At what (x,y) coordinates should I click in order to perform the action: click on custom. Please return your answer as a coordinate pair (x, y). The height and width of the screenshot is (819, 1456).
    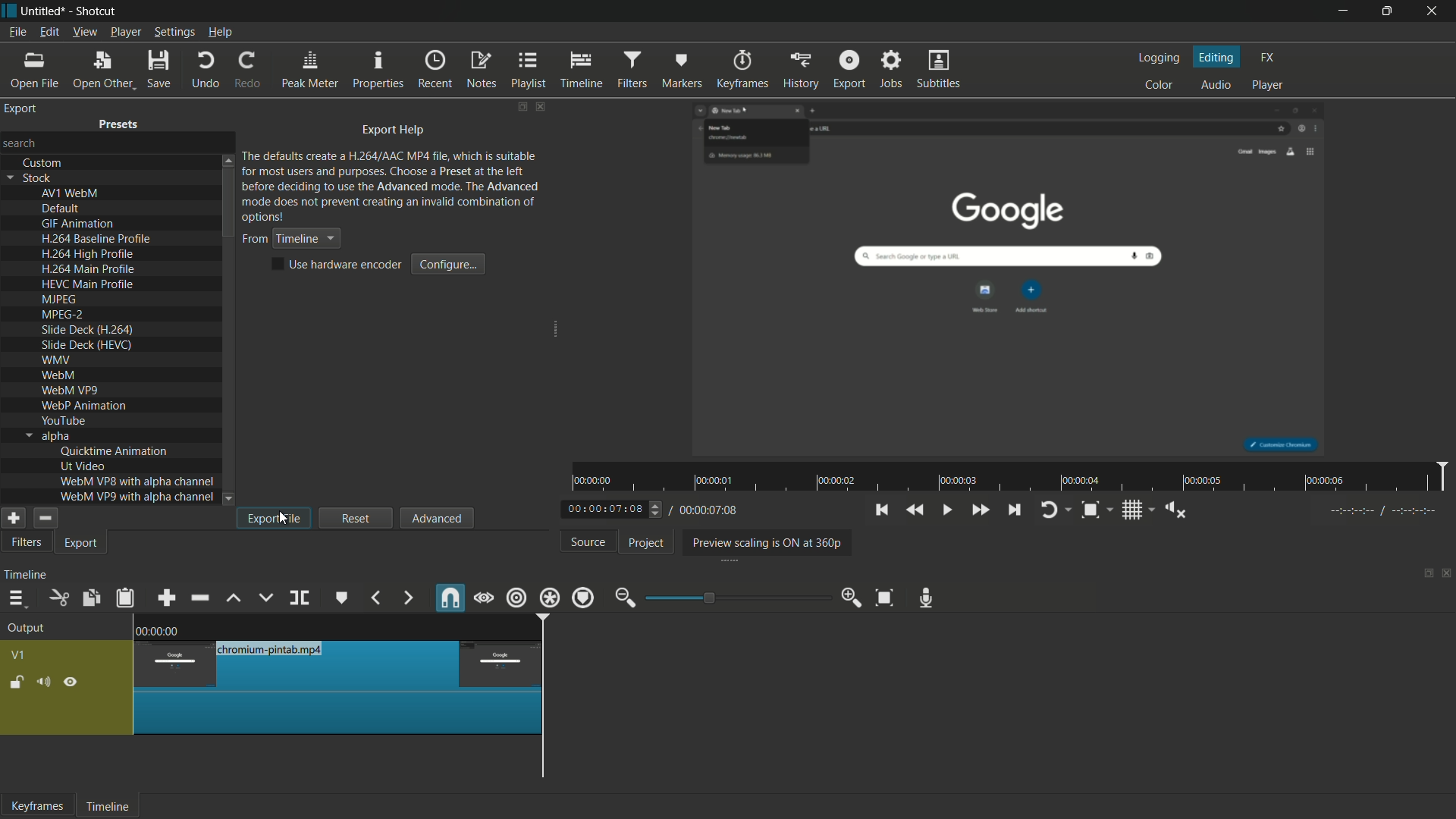
    Looking at the image, I should click on (43, 162).